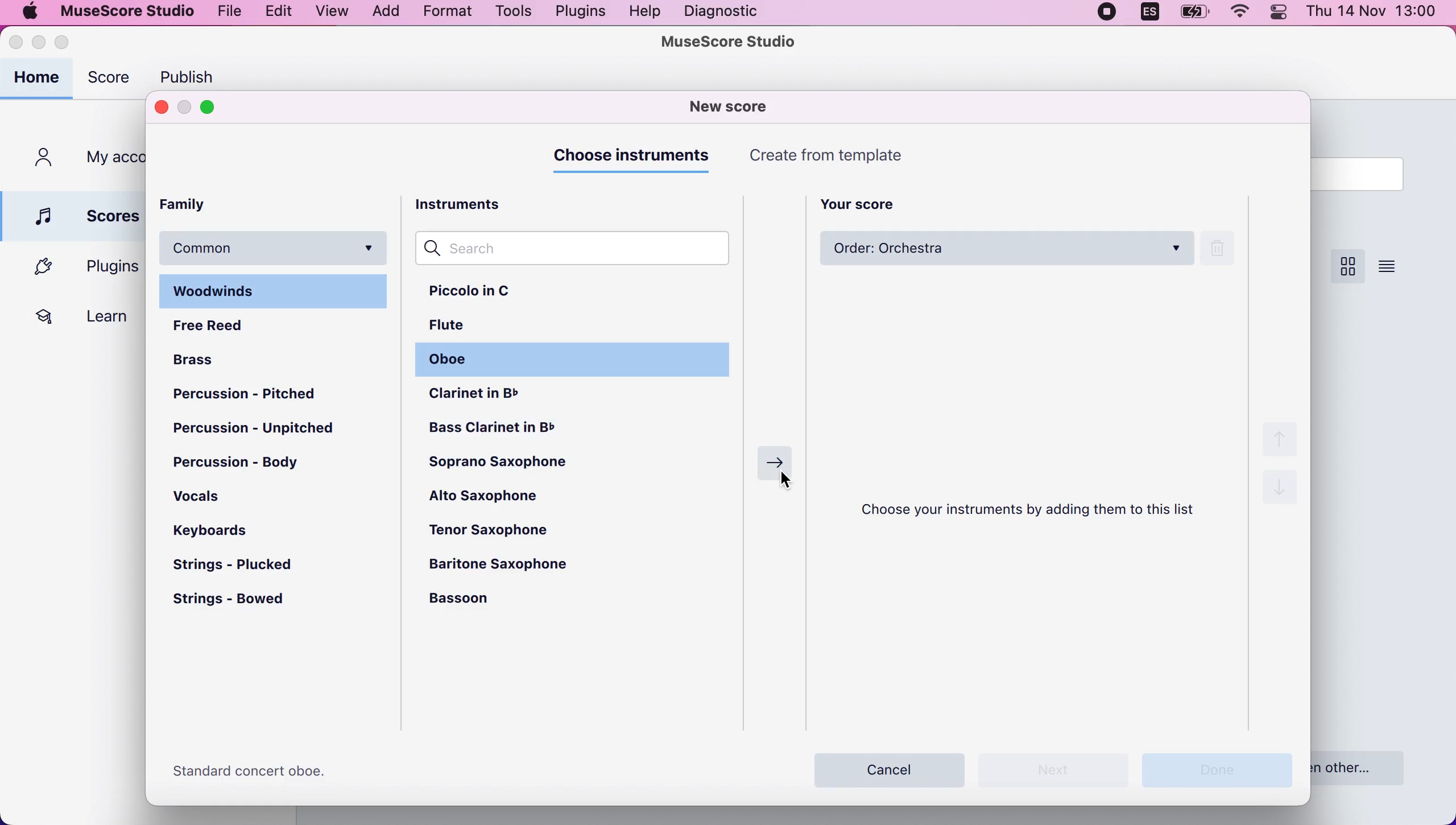 The height and width of the screenshot is (825, 1456). I want to click on cursor on next, so click(789, 484).